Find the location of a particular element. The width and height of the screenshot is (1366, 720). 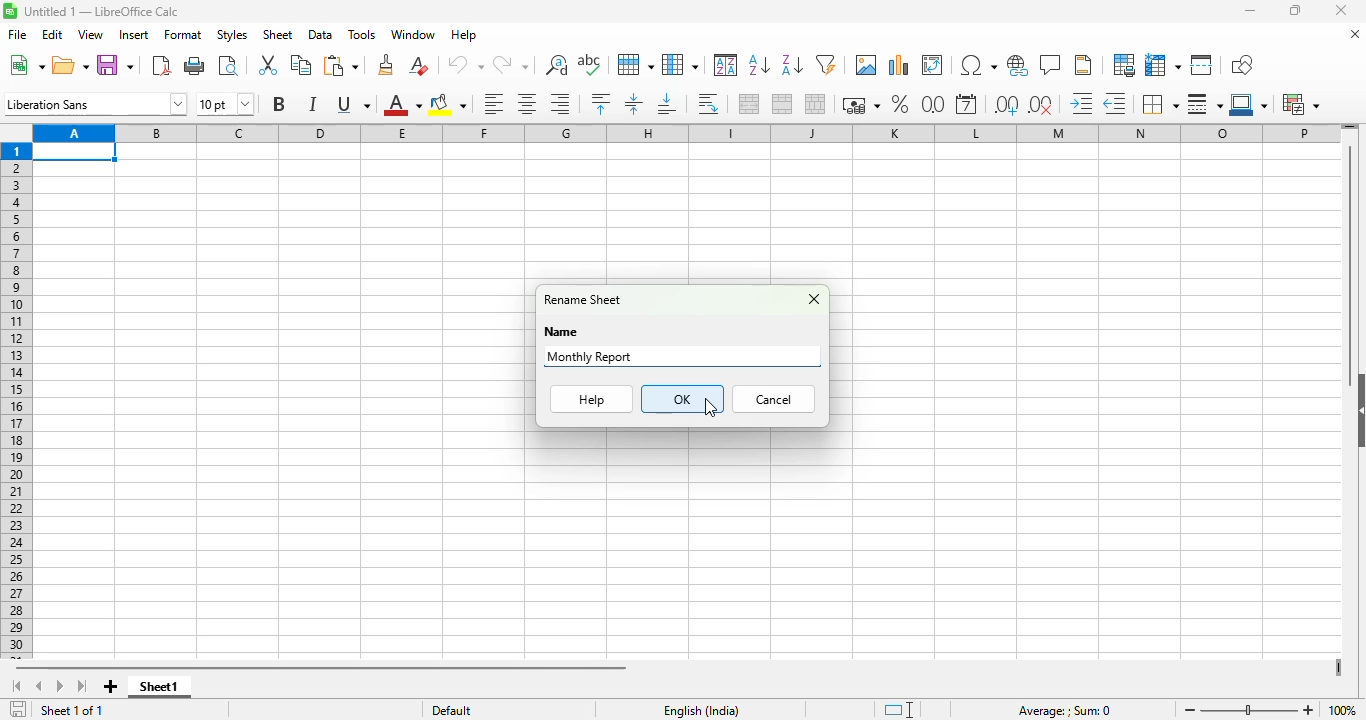

background color is located at coordinates (448, 104).